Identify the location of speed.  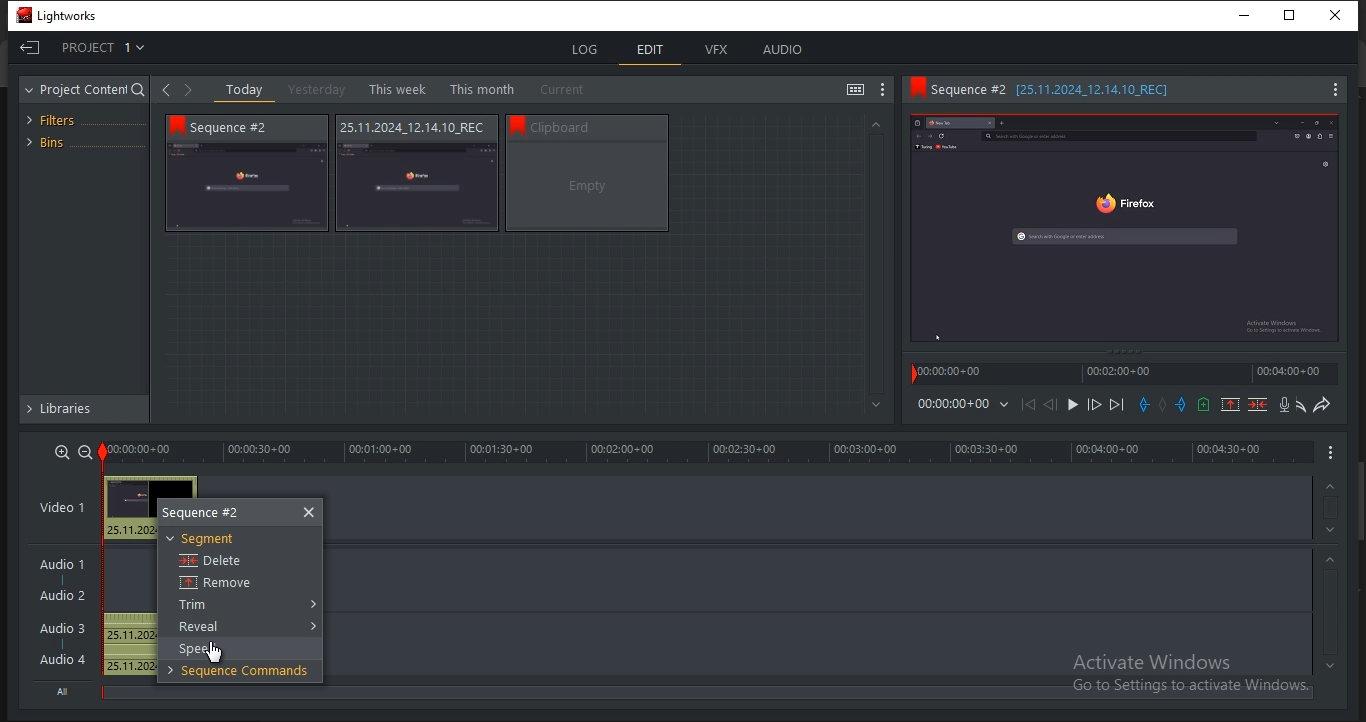
(202, 650).